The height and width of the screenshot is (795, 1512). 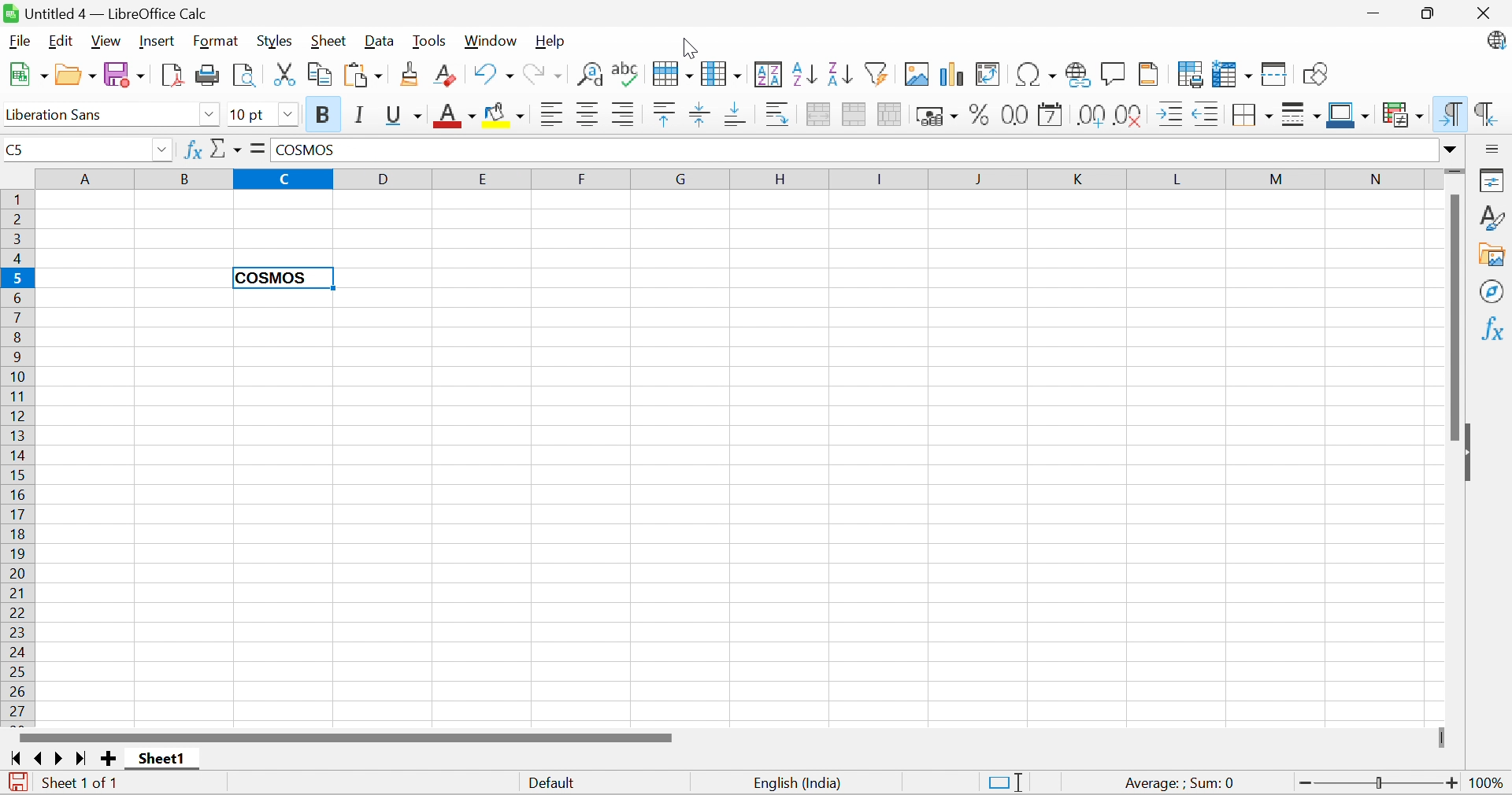 I want to click on Functions, so click(x=1495, y=327).